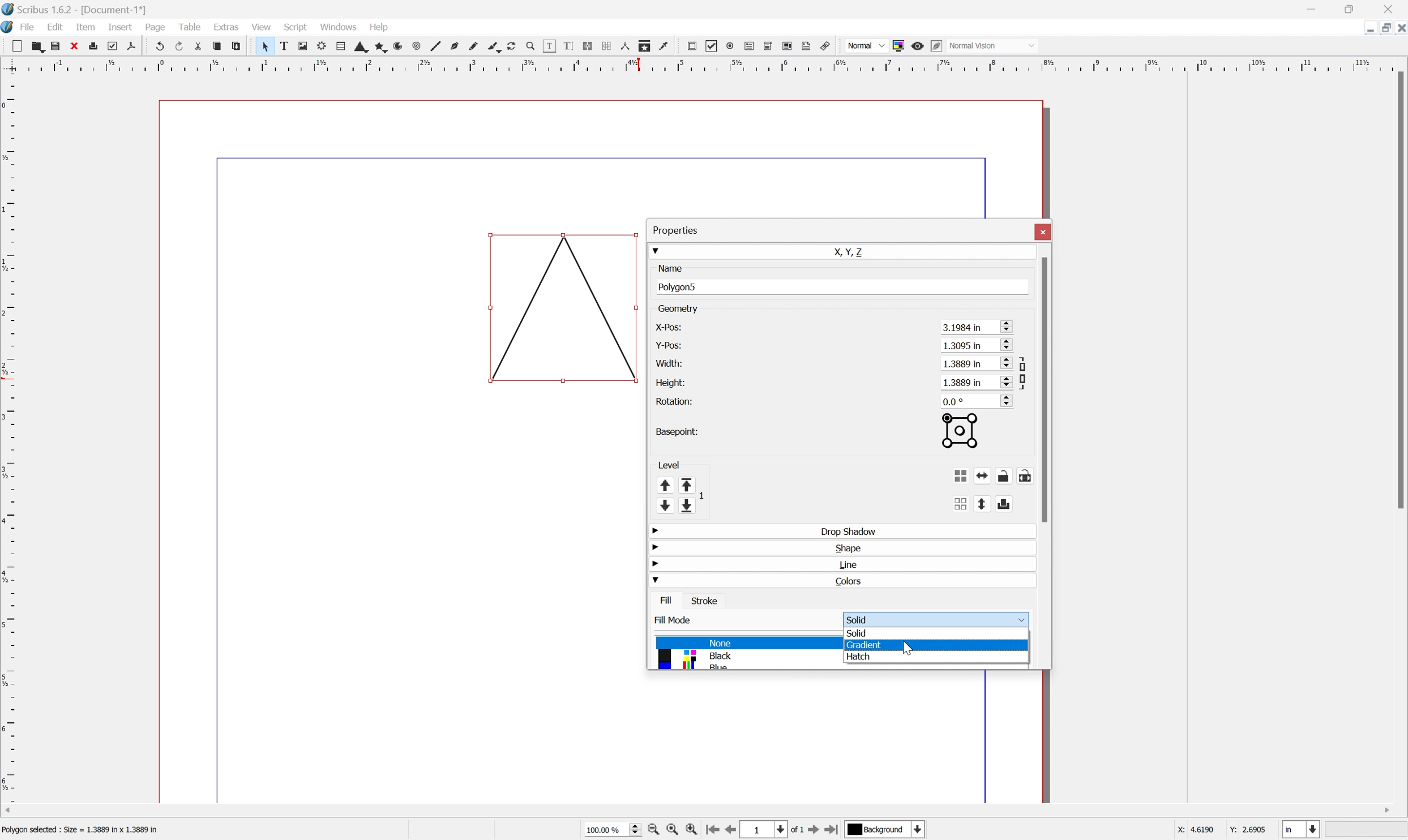 The height and width of the screenshot is (840, 1408). Describe the element at coordinates (768, 46) in the screenshot. I see `PDF combo box` at that location.